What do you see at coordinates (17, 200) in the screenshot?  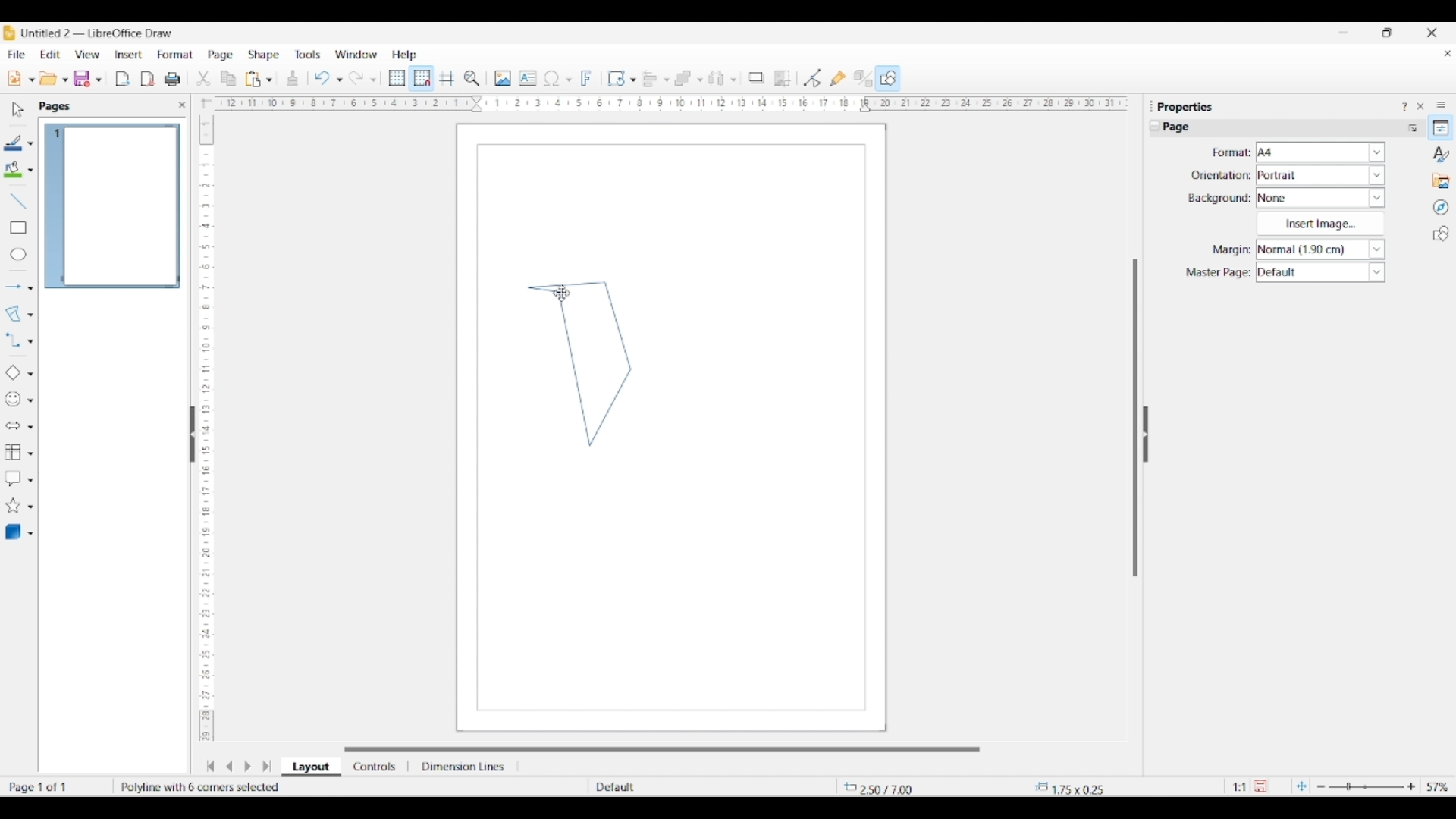 I see `Insert line` at bounding box center [17, 200].